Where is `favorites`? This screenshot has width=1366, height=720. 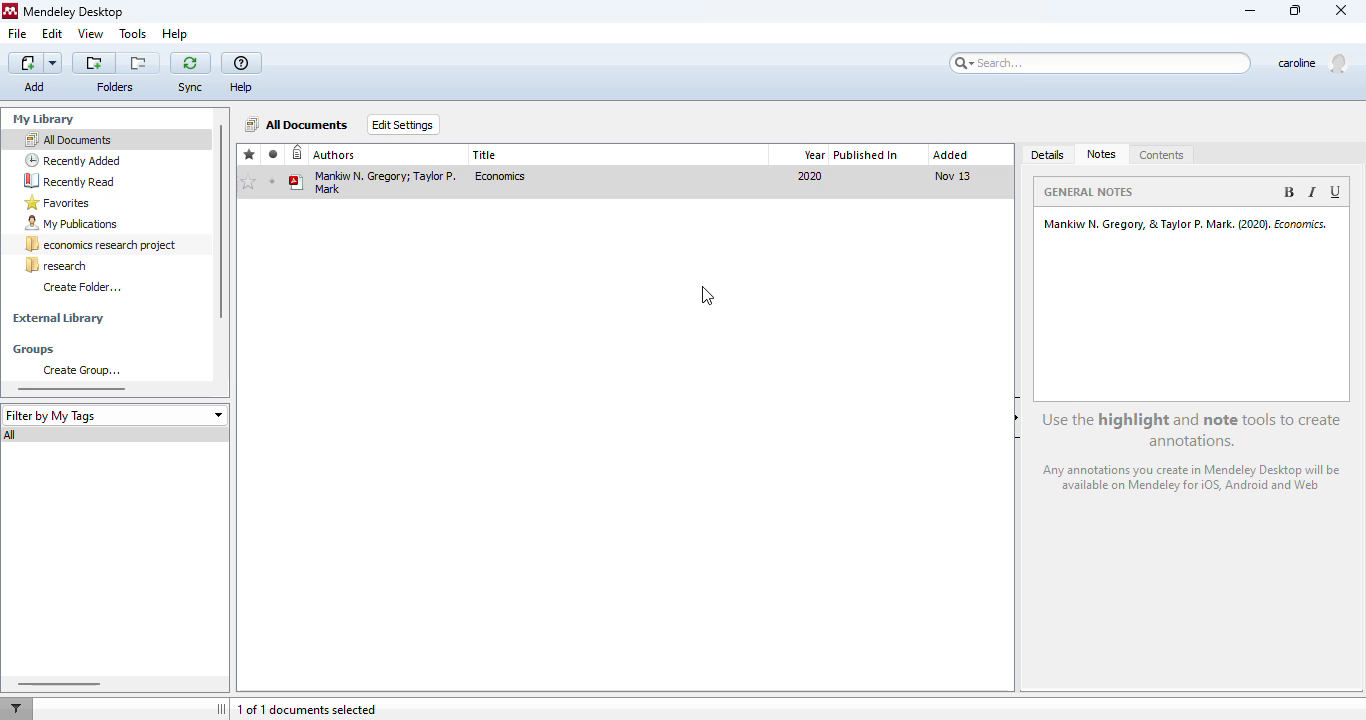
favorites is located at coordinates (250, 155).